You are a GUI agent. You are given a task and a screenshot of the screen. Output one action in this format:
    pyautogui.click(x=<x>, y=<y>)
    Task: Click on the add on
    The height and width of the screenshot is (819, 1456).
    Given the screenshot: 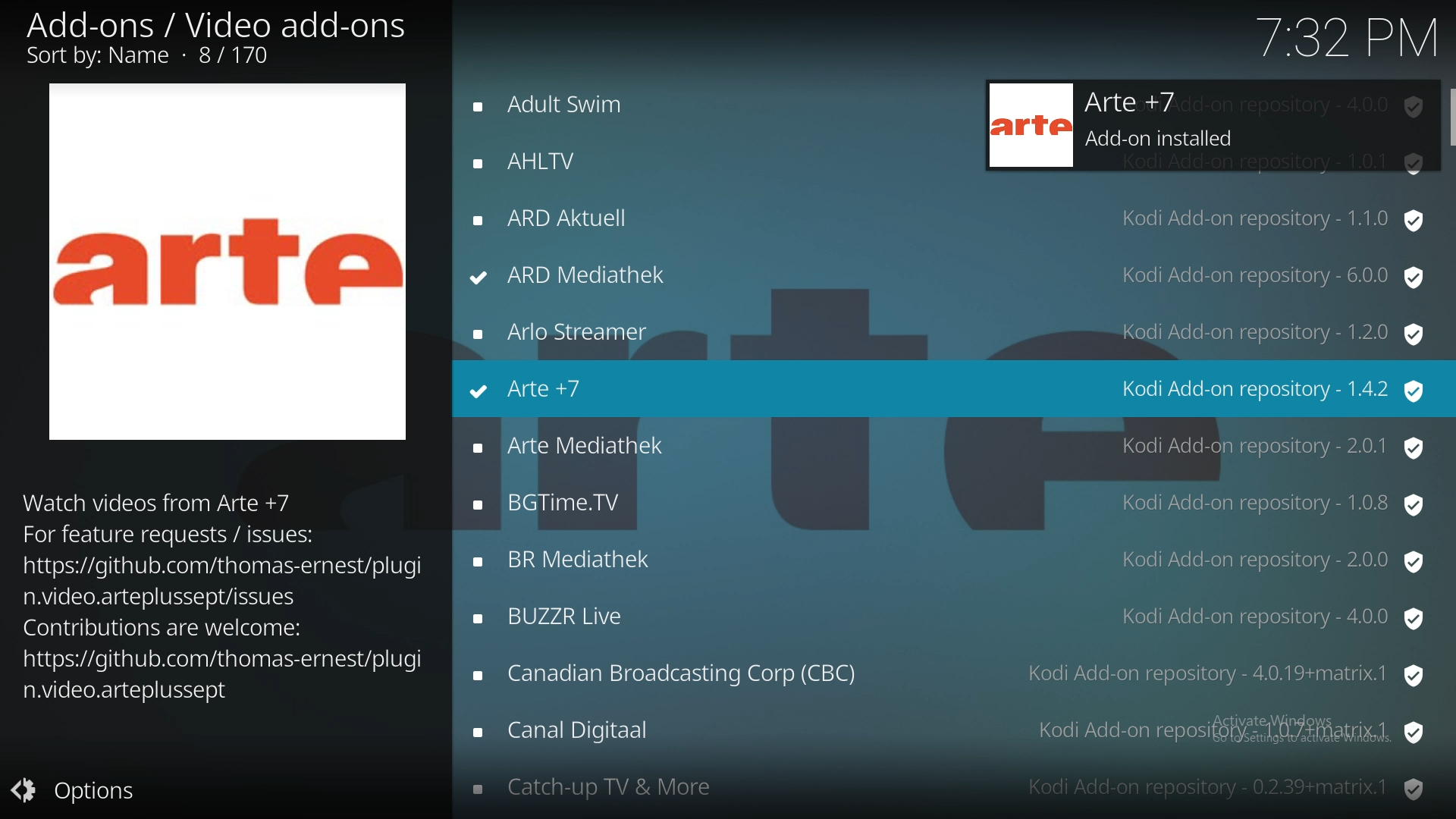 What is the action you would take?
    pyautogui.click(x=601, y=106)
    